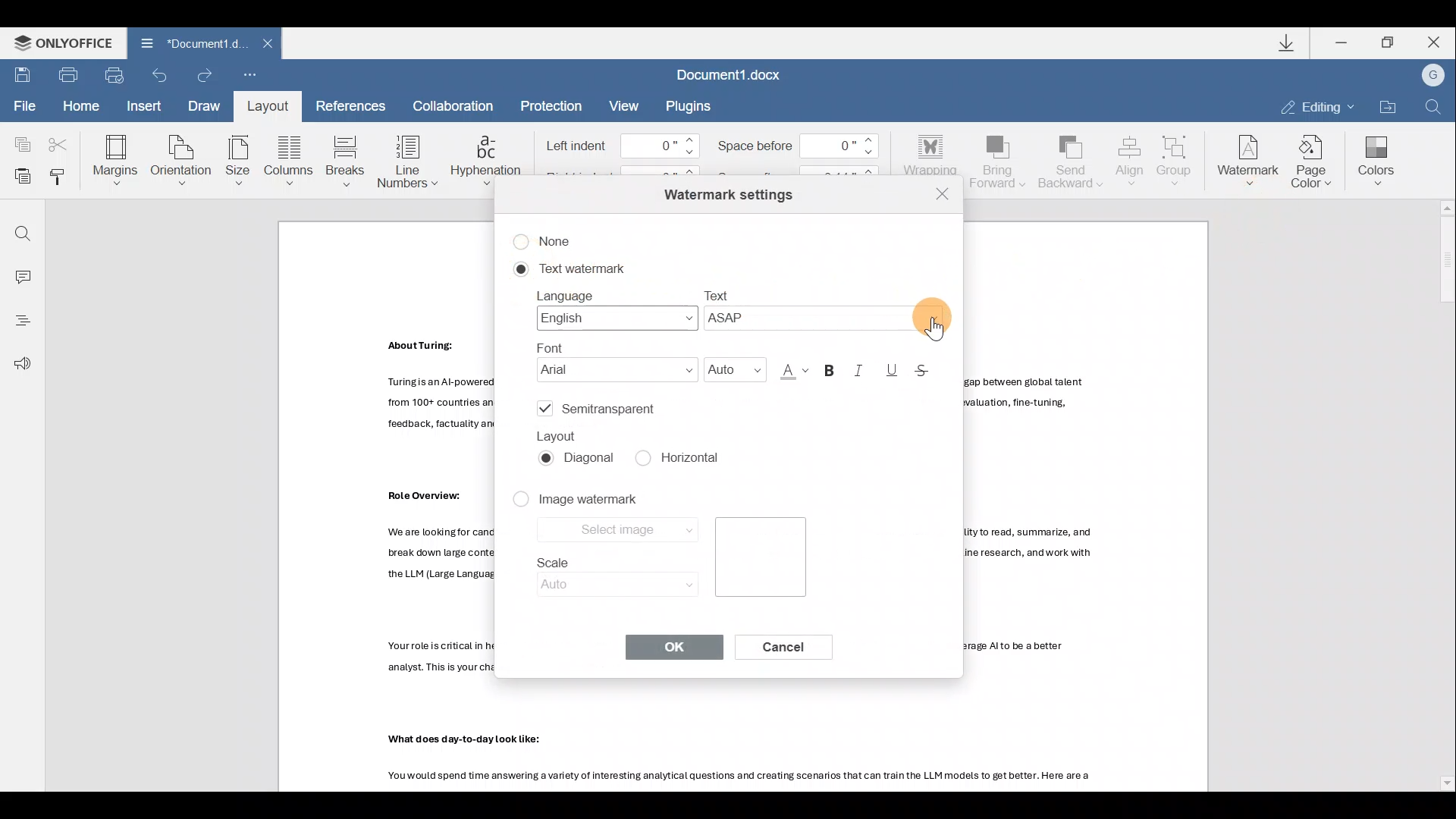 Image resolution: width=1456 pixels, height=819 pixels. Describe the element at coordinates (830, 309) in the screenshot. I see `Text` at that location.